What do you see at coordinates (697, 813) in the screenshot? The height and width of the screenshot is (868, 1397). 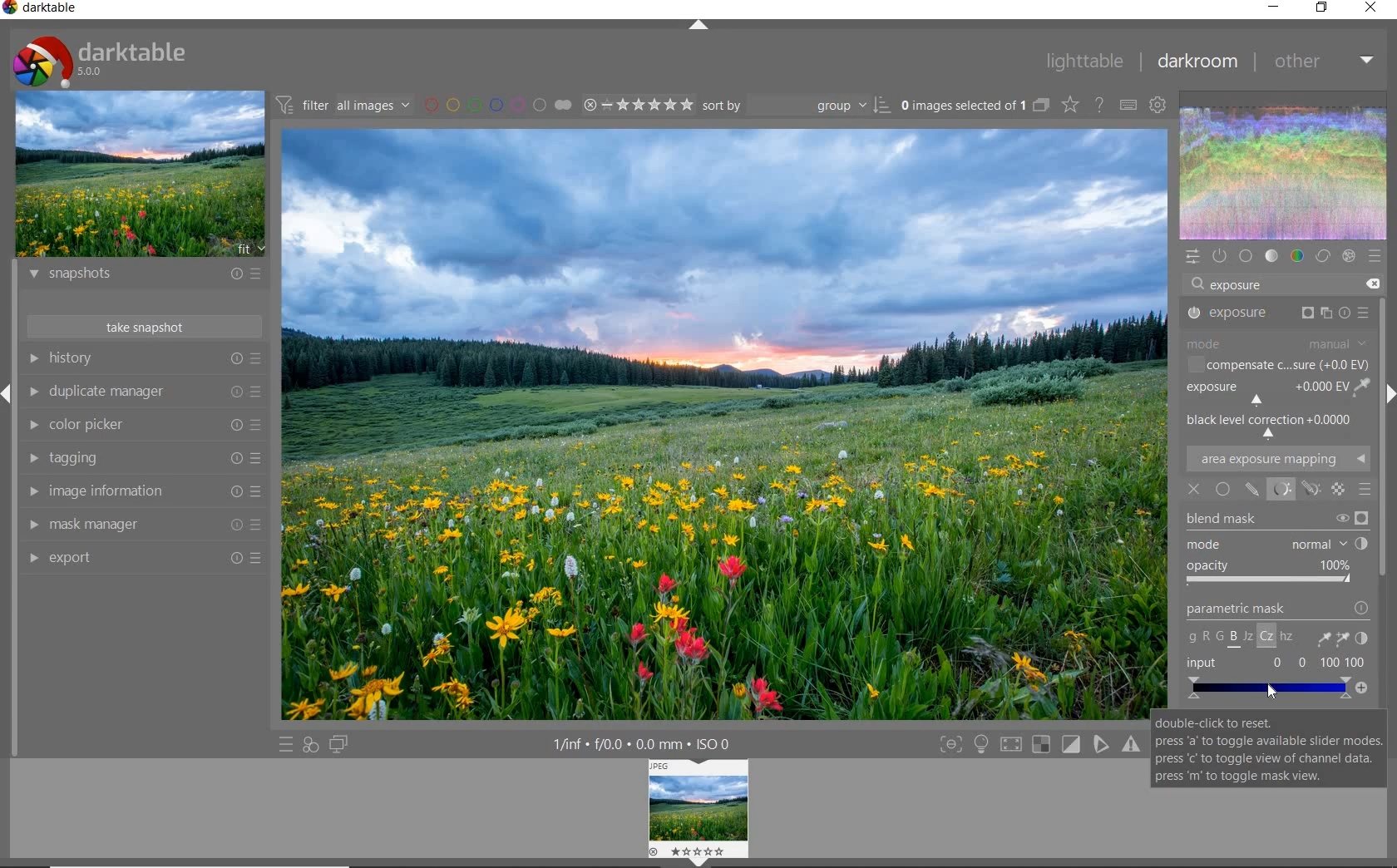 I see `image preview` at bounding box center [697, 813].